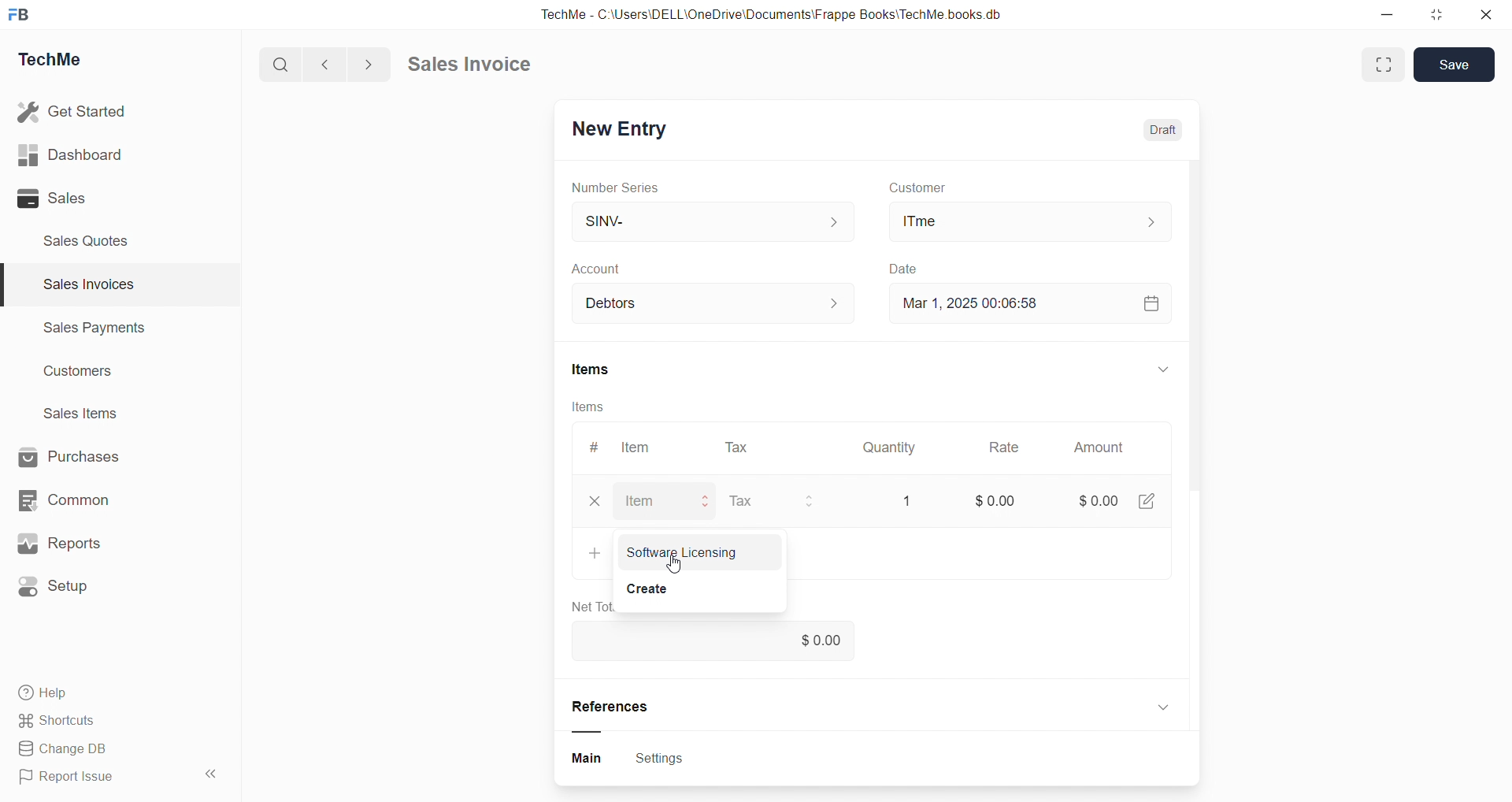  I want to click on $0.00, so click(993, 500).